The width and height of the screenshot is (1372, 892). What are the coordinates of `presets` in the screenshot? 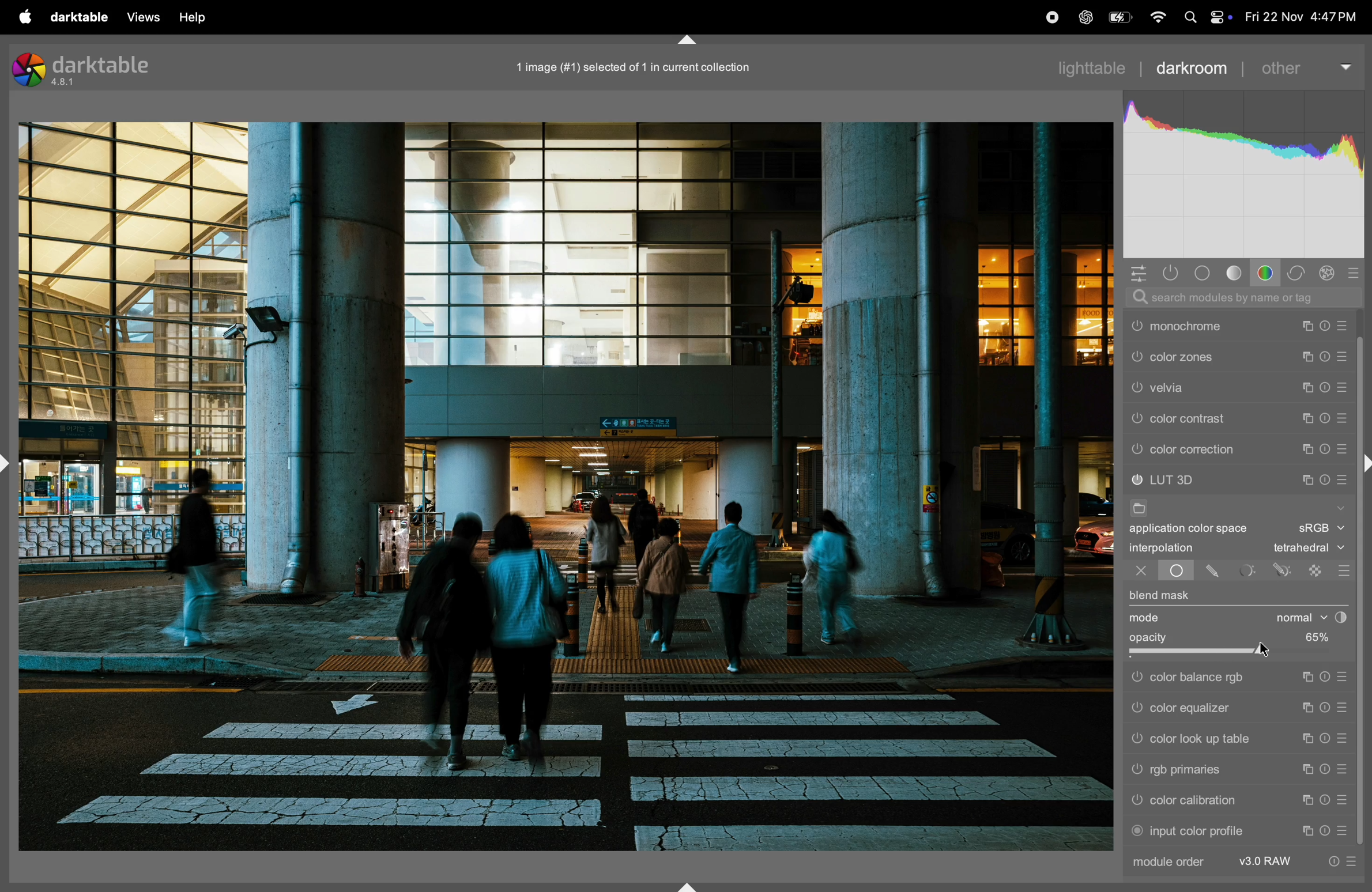 It's located at (1345, 448).